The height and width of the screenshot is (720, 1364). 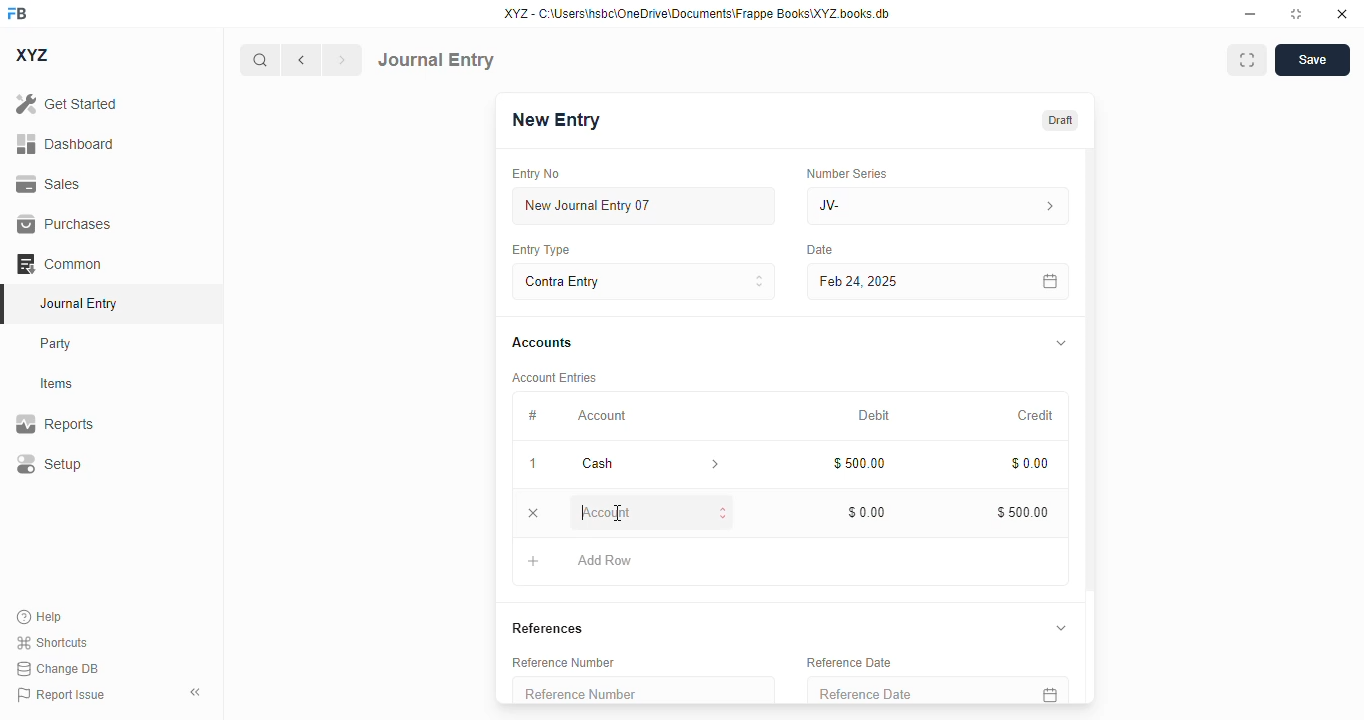 I want to click on new journal entry 07, so click(x=645, y=205).